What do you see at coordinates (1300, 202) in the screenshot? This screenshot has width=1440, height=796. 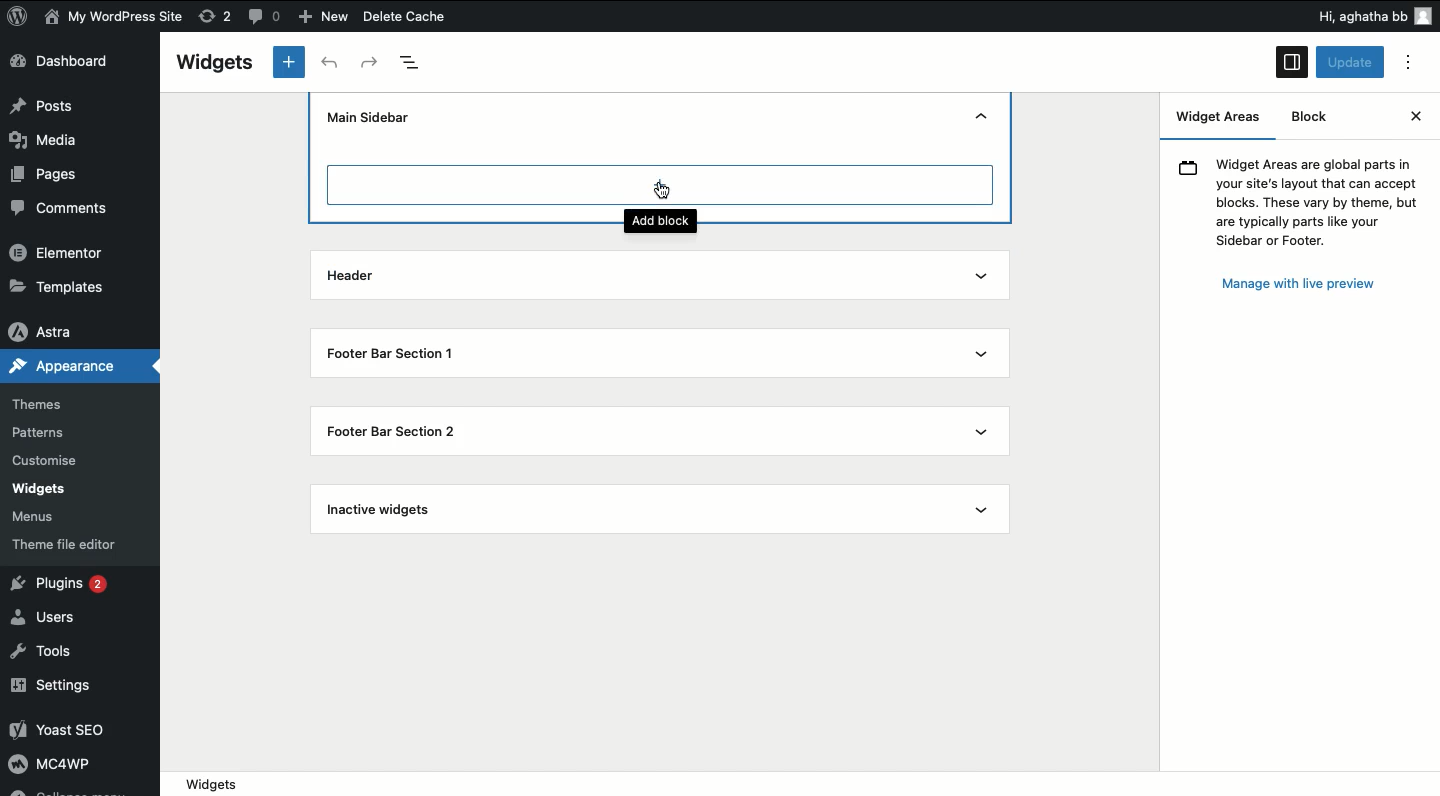 I see `Widget Areas are global parts inyour site's layout that can acceptblocks. These vary by theme, butare typically parts like yourSidebar or Footer.` at bounding box center [1300, 202].